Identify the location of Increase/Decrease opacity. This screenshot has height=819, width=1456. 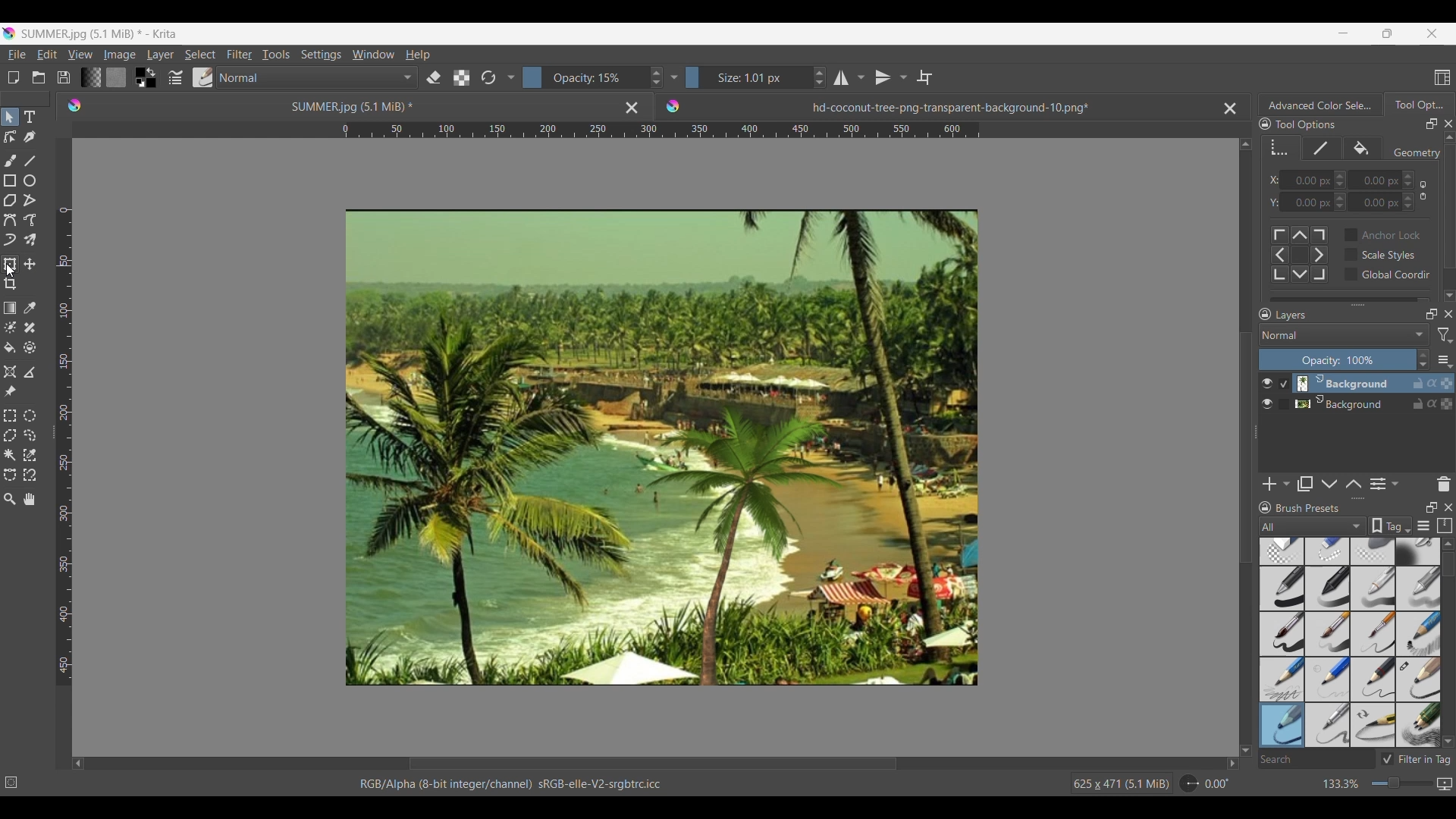
(1345, 359).